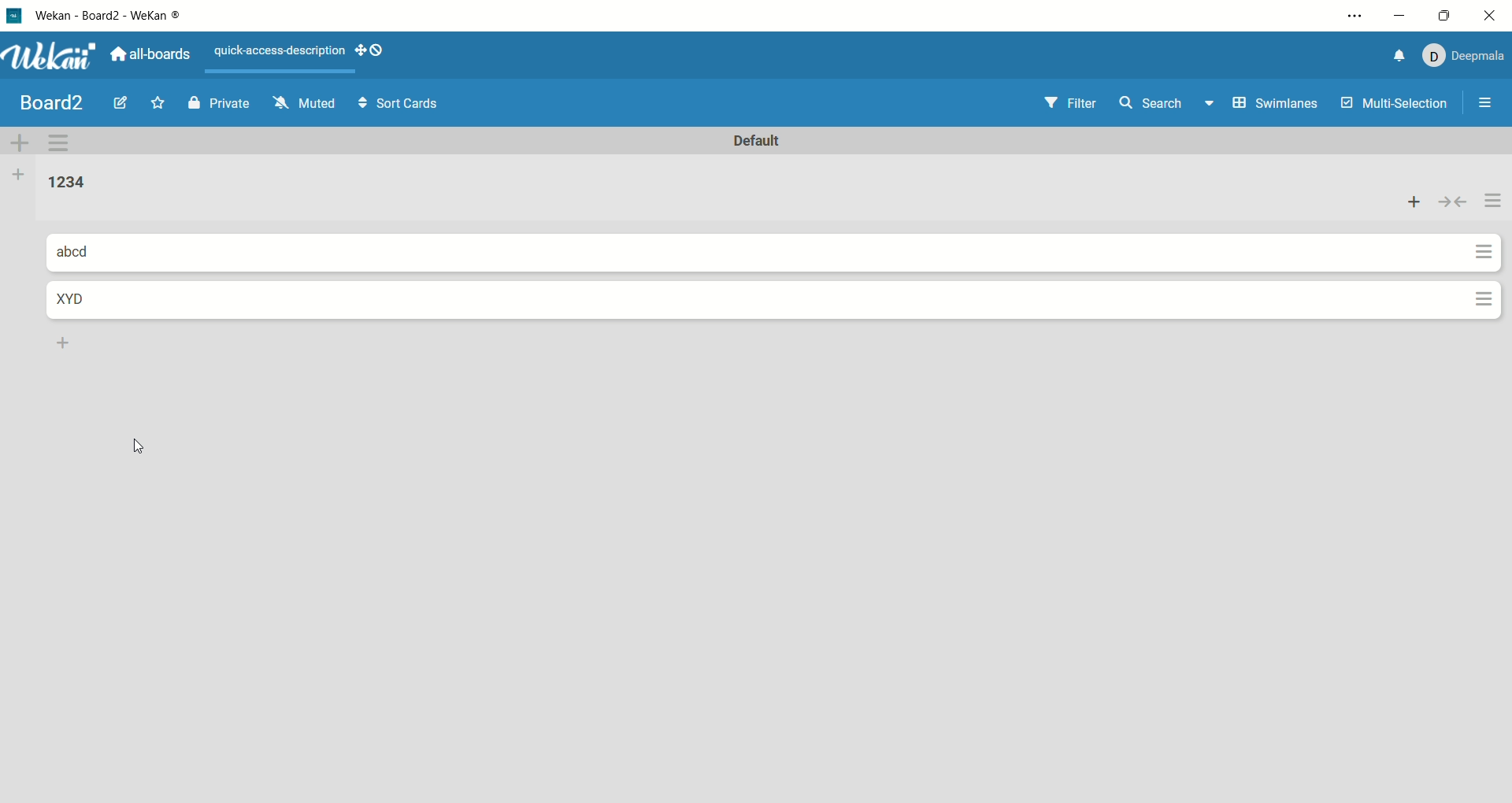 The image size is (1512, 803). Describe the element at coordinates (17, 174) in the screenshot. I see `add list` at that location.